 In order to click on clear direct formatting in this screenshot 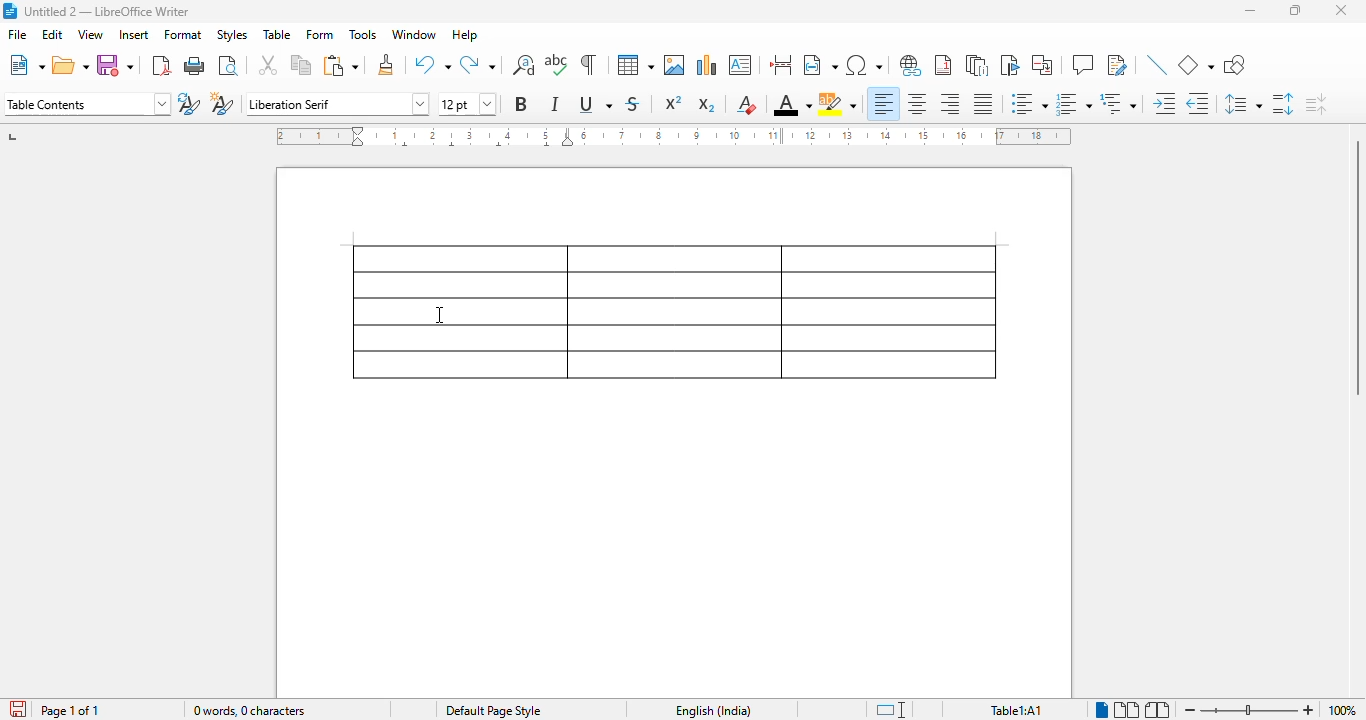, I will do `click(747, 104)`.